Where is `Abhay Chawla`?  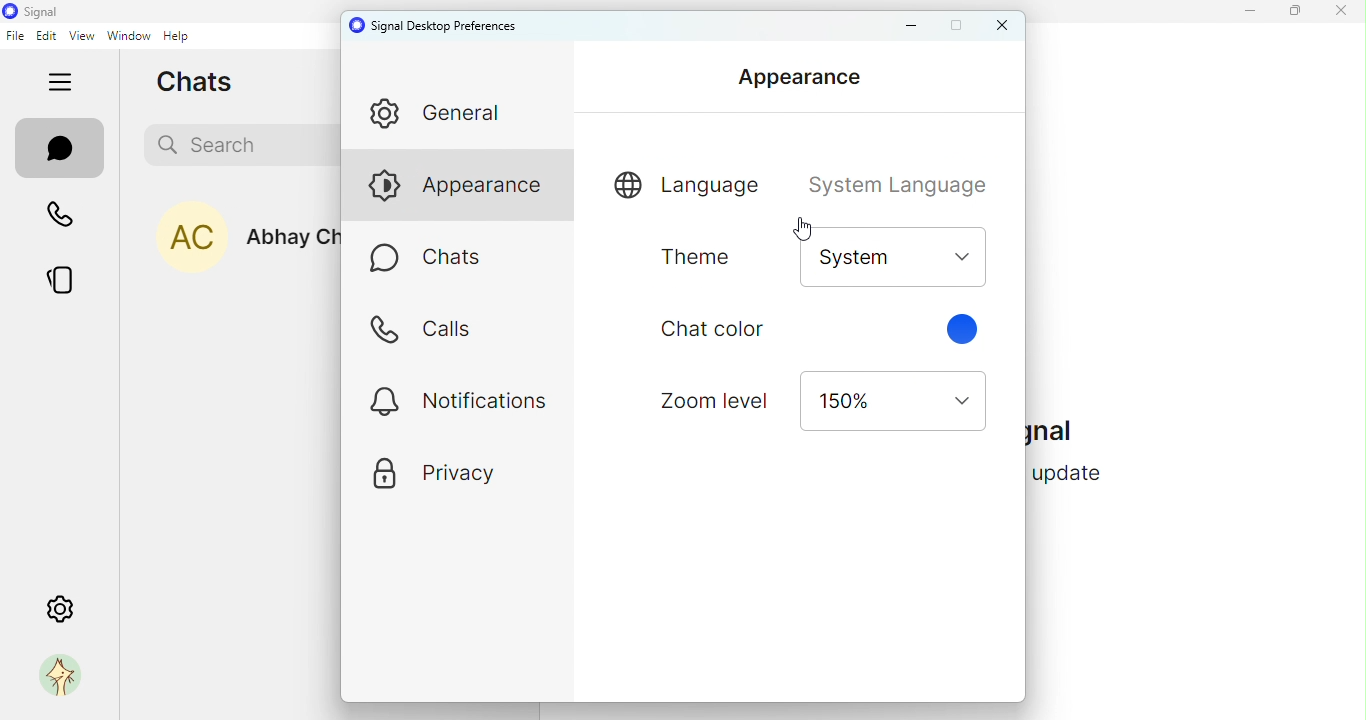 Abhay Chawla is located at coordinates (229, 237).